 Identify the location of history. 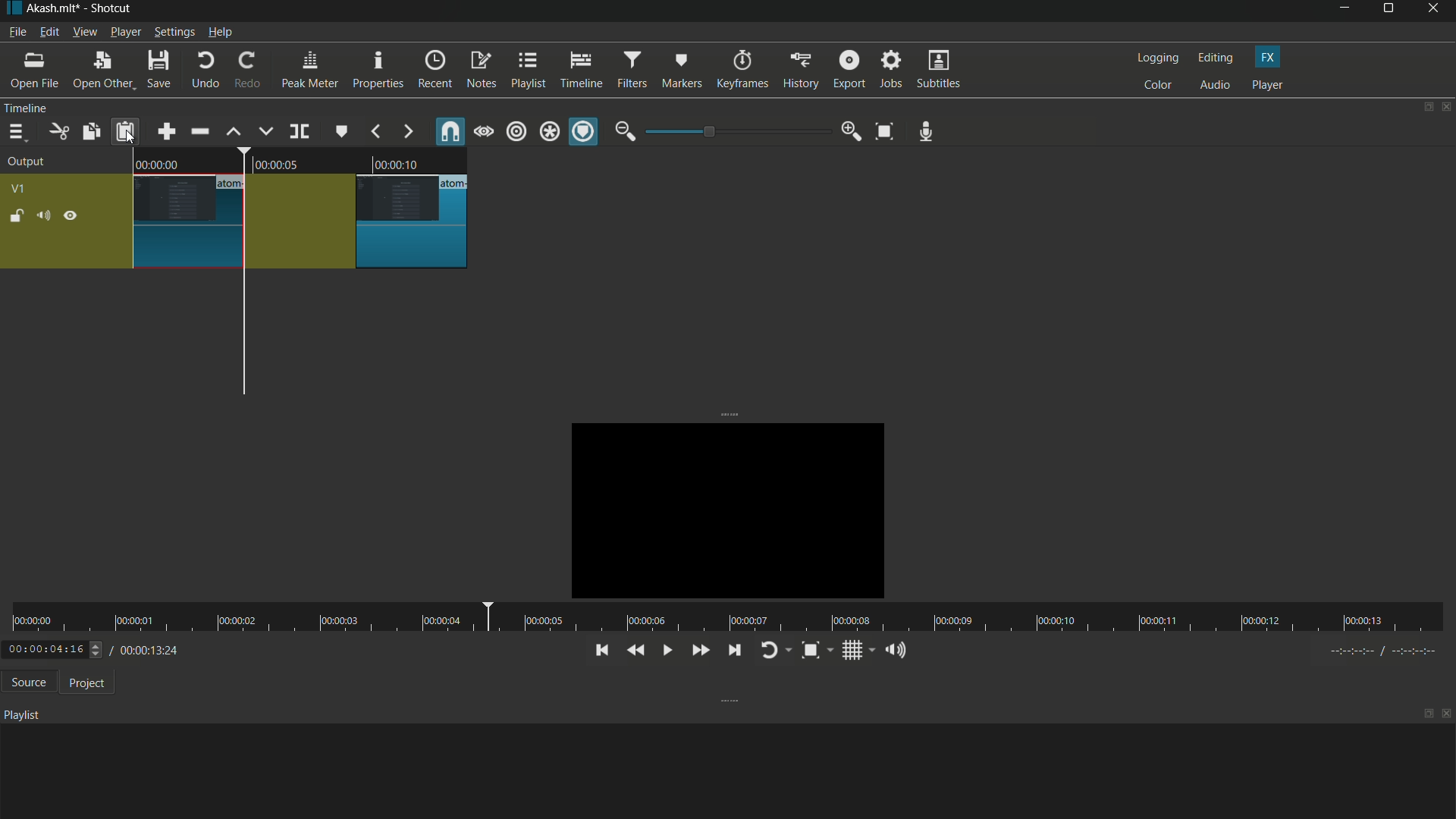
(800, 71).